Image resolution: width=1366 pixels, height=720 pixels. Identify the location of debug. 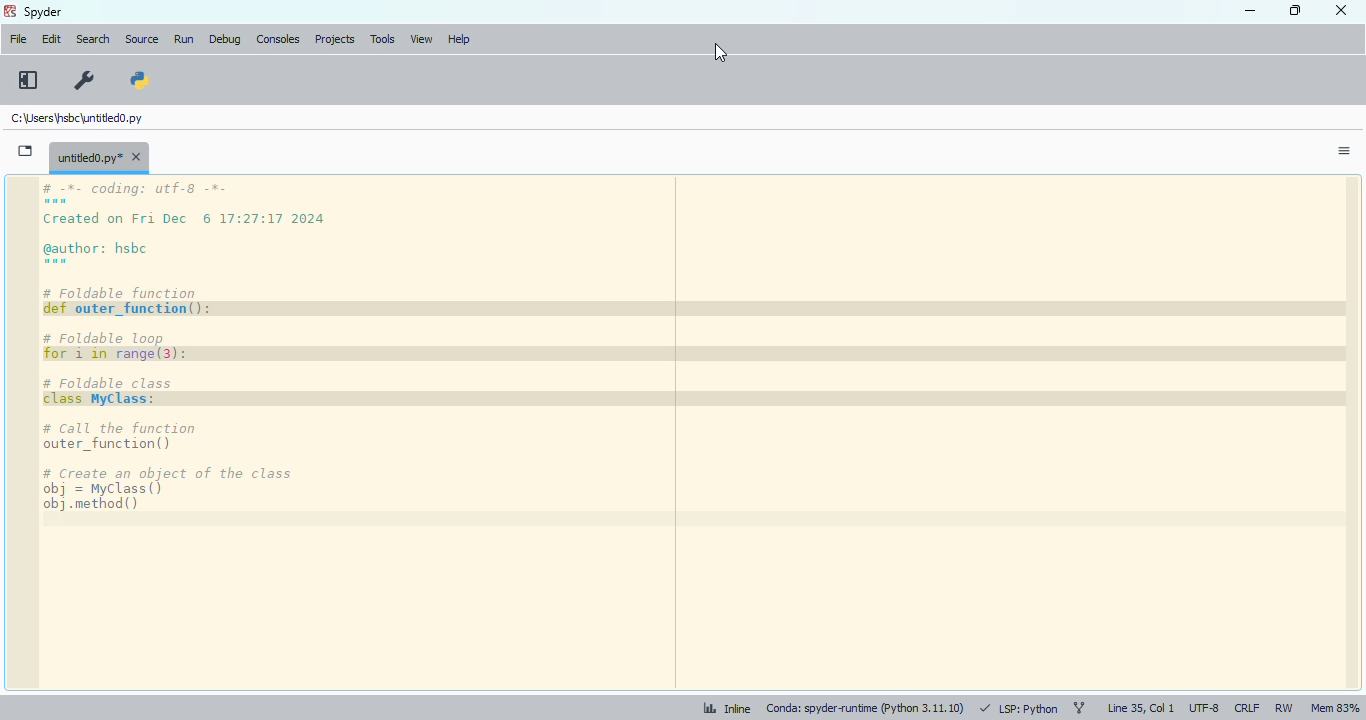
(225, 39).